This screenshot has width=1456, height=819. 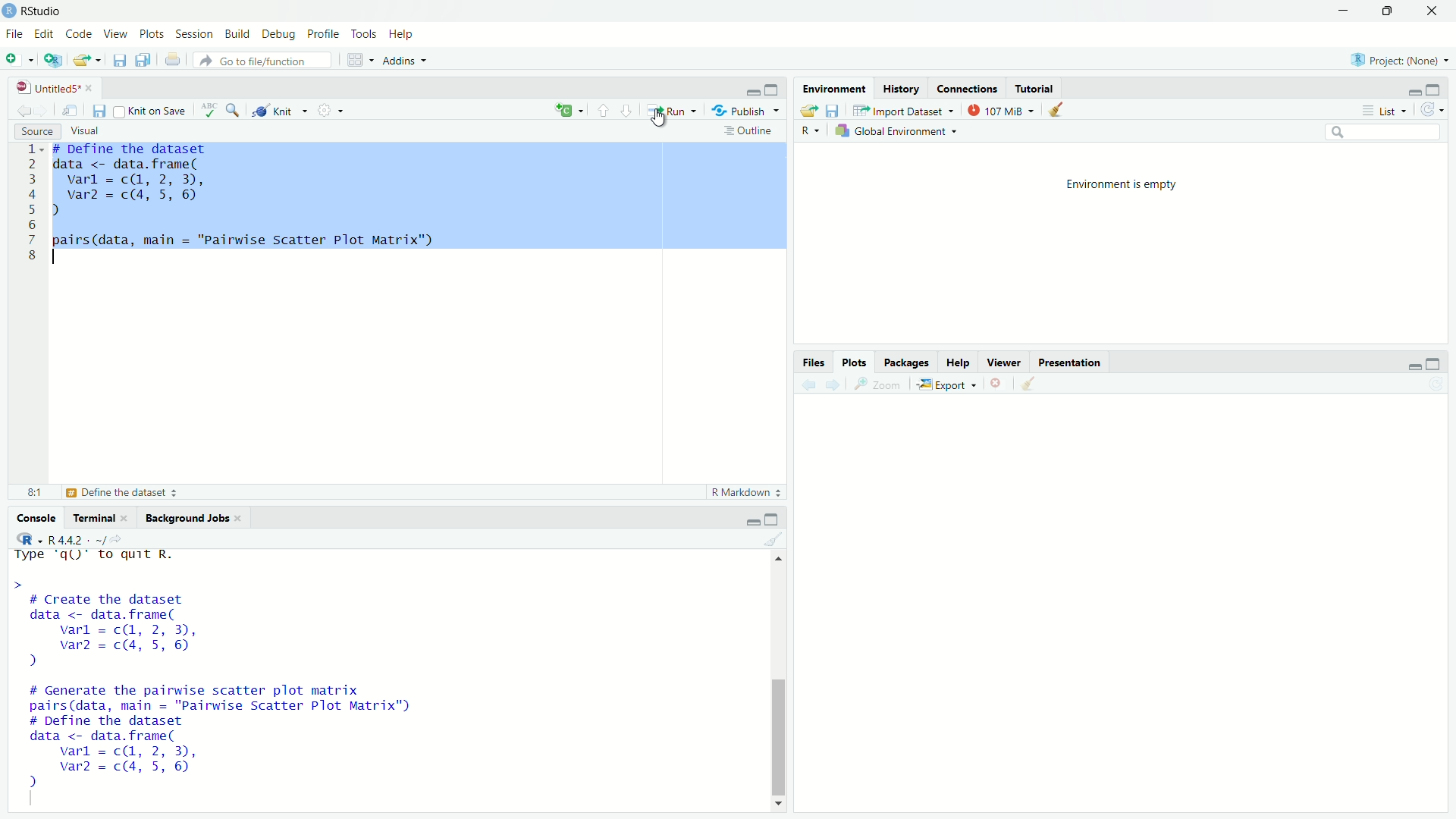 I want to click on Debug, so click(x=280, y=35).